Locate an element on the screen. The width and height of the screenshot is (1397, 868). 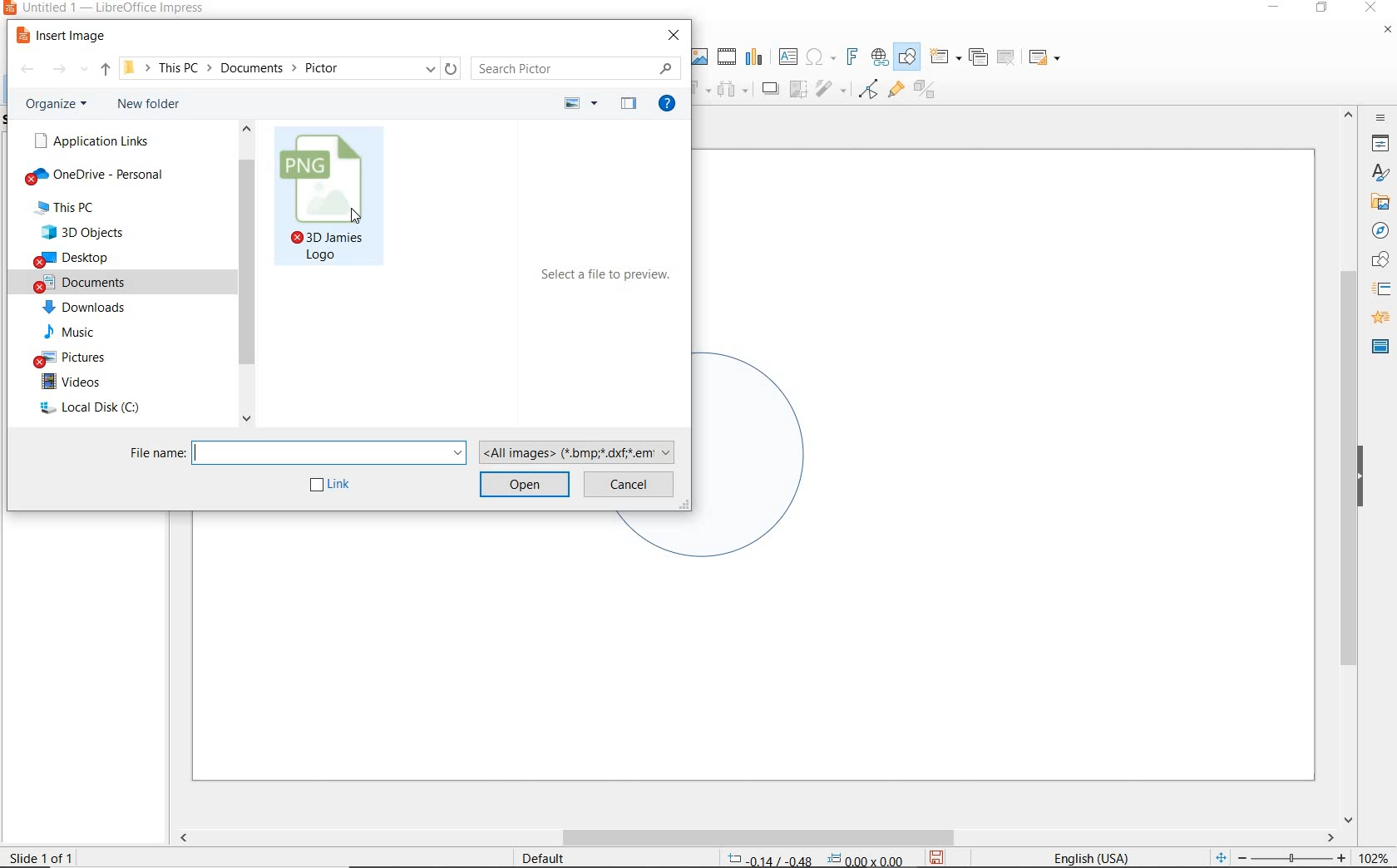
master slide is located at coordinates (1380, 345).